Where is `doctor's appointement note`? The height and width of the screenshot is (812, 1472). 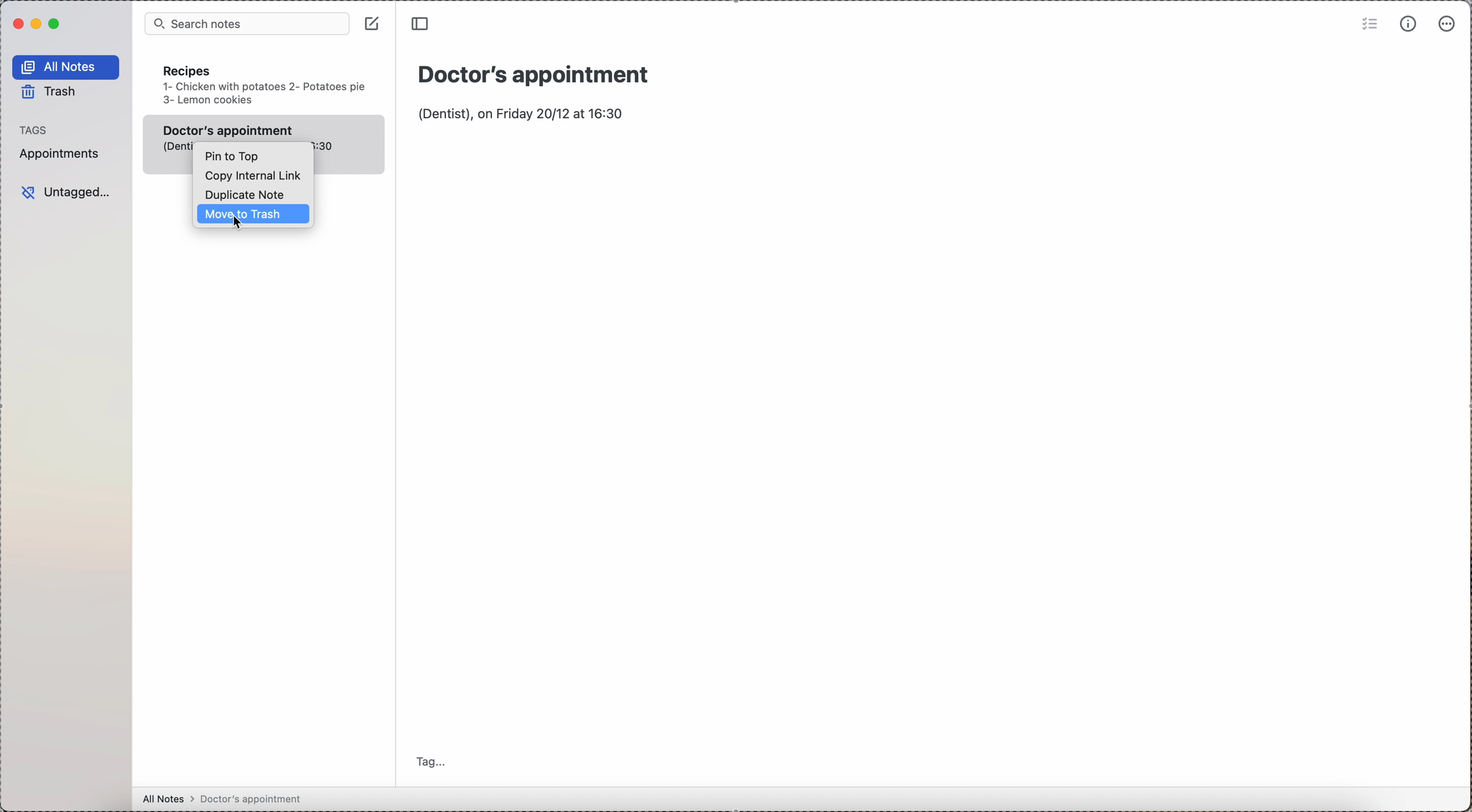
doctor's appointement note is located at coordinates (267, 128).